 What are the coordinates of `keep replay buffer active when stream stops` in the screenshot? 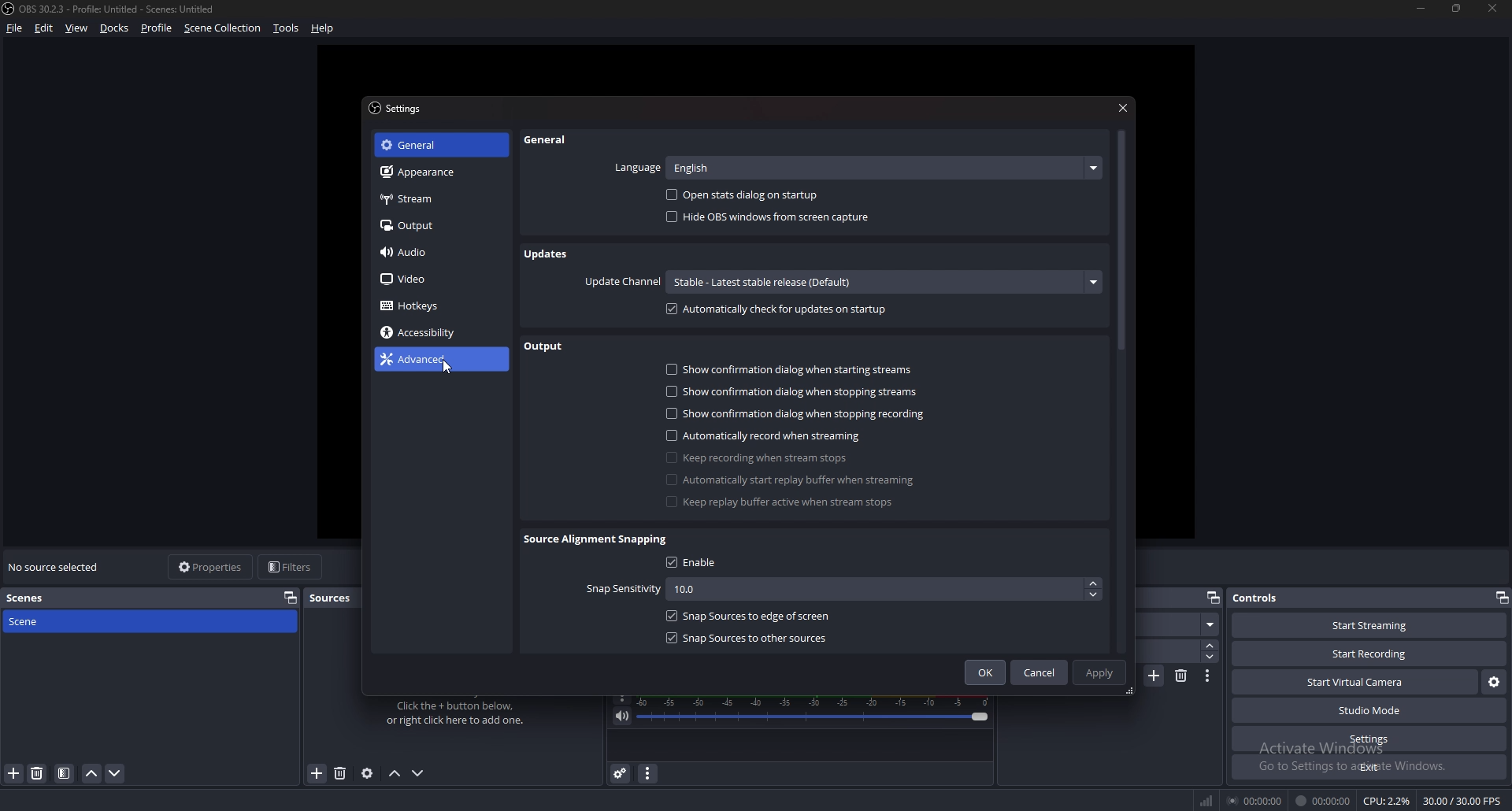 It's located at (784, 502).